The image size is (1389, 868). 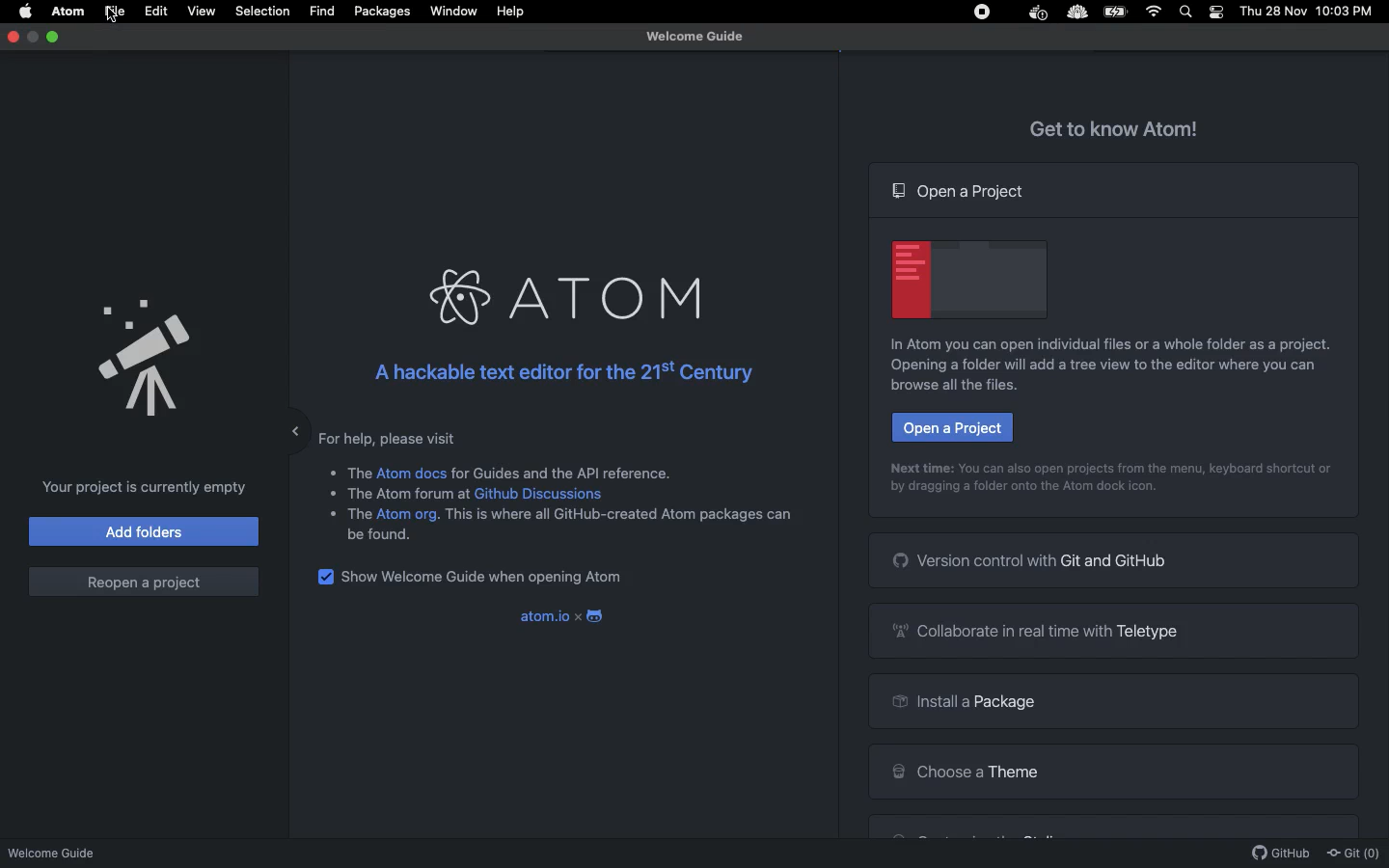 What do you see at coordinates (281, 426) in the screenshot?
I see `Minimize` at bounding box center [281, 426].